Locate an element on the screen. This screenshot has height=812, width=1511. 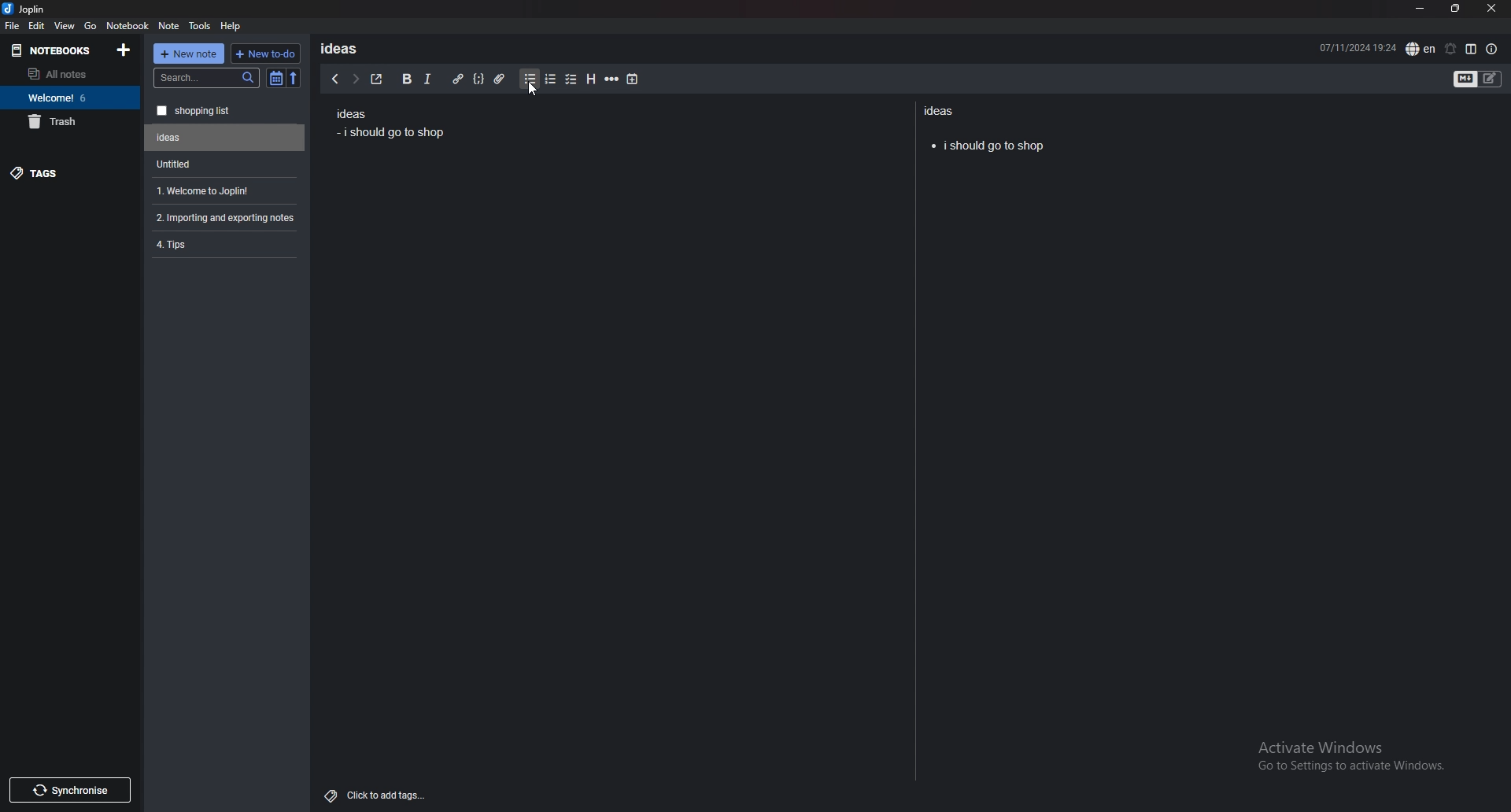
toggle external editor is located at coordinates (377, 79).